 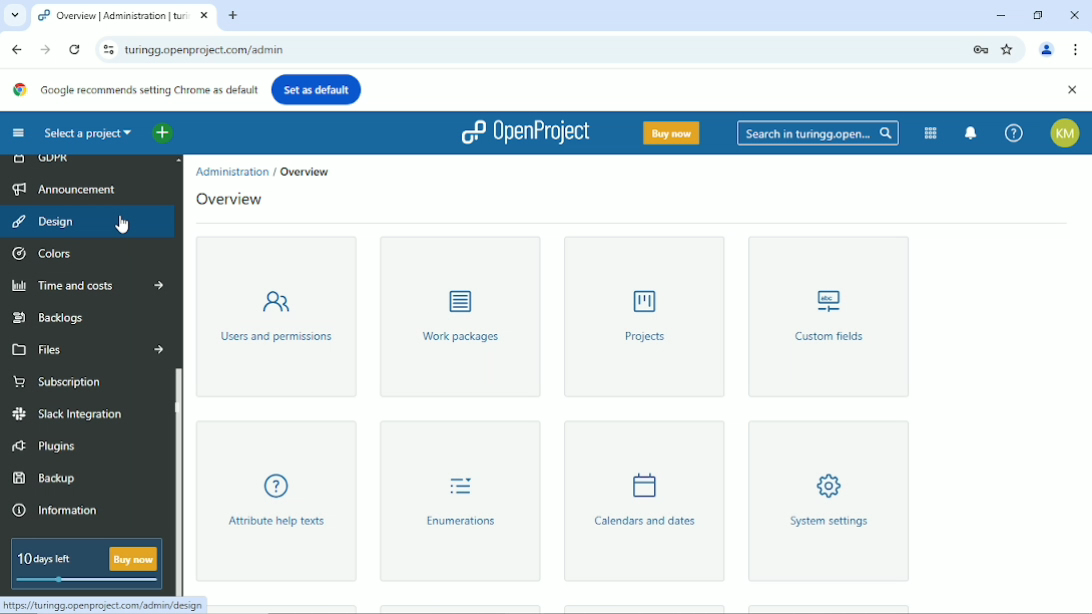 I want to click on Minimize, so click(x=1001, y=15).